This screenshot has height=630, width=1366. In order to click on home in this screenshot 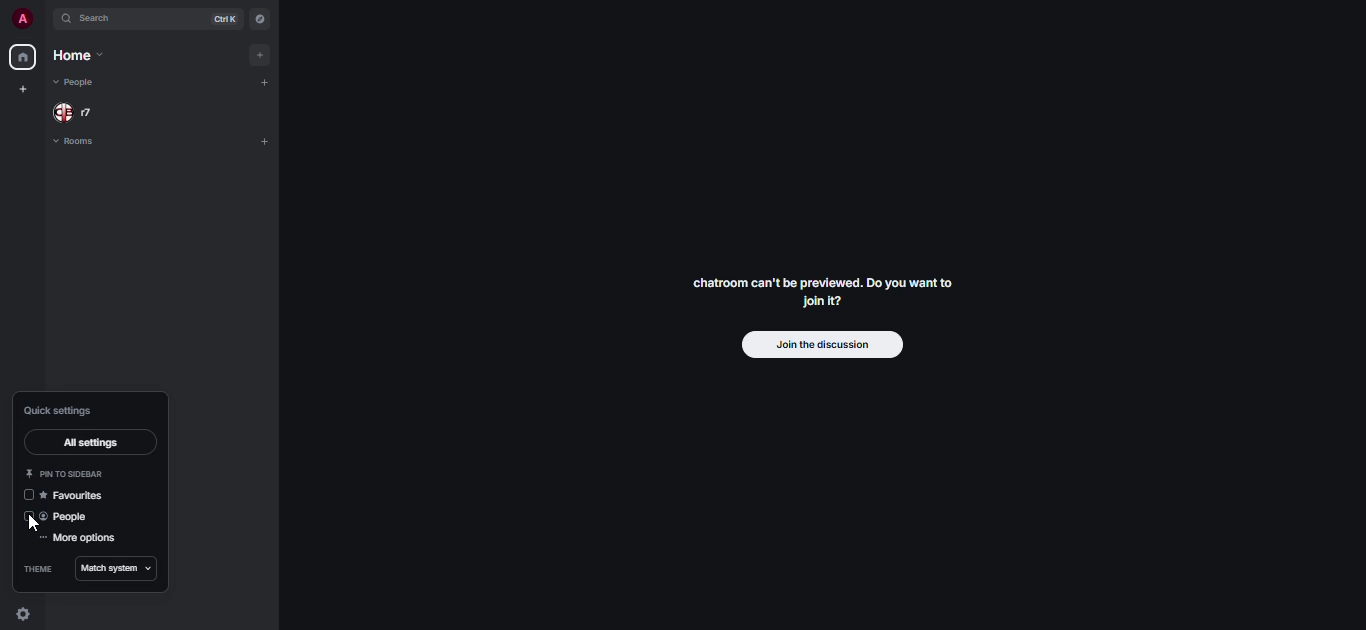, I will do `click(21, 57)`.